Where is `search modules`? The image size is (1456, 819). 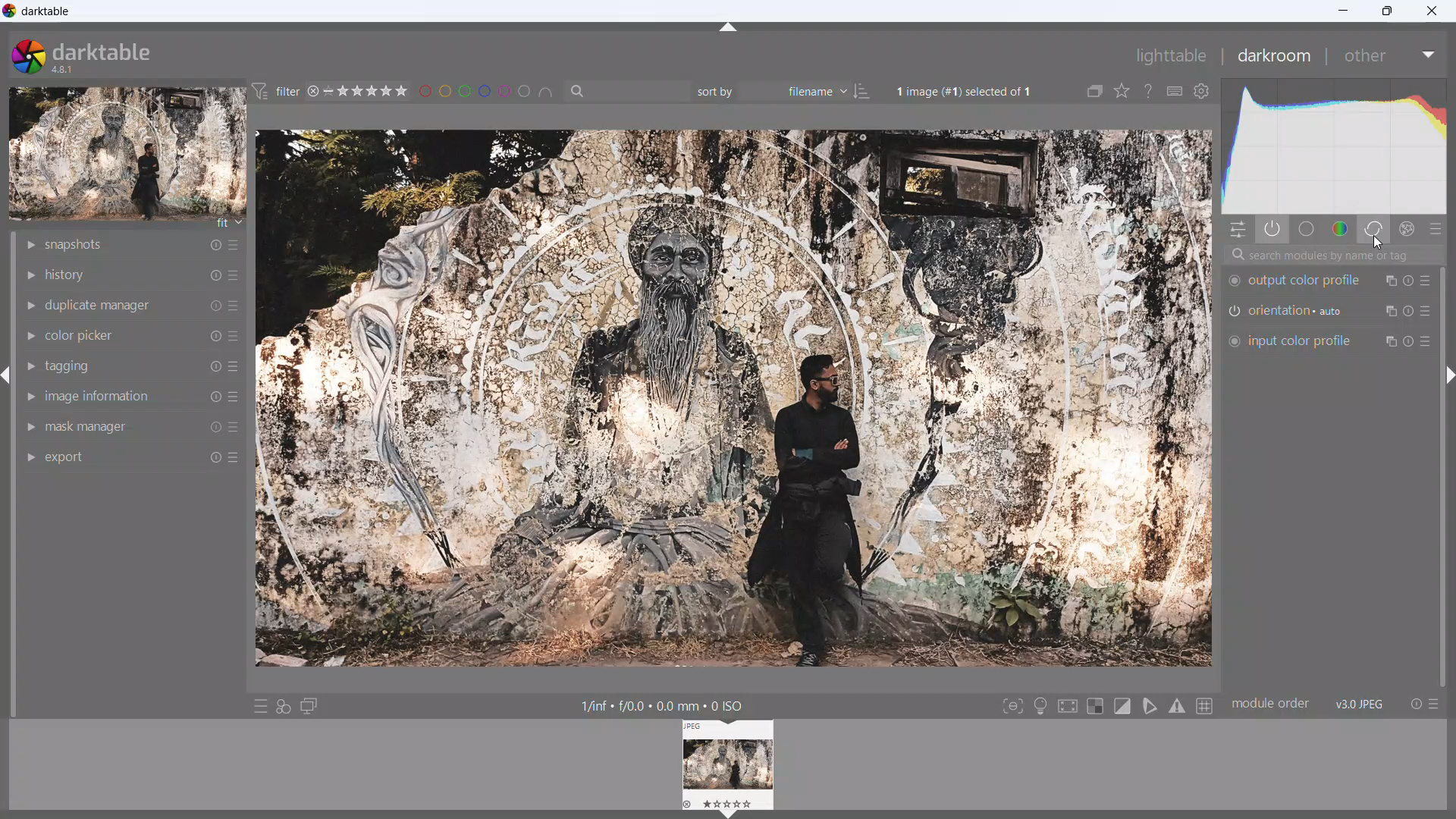 search modules is located at coordinates (1335, 256).